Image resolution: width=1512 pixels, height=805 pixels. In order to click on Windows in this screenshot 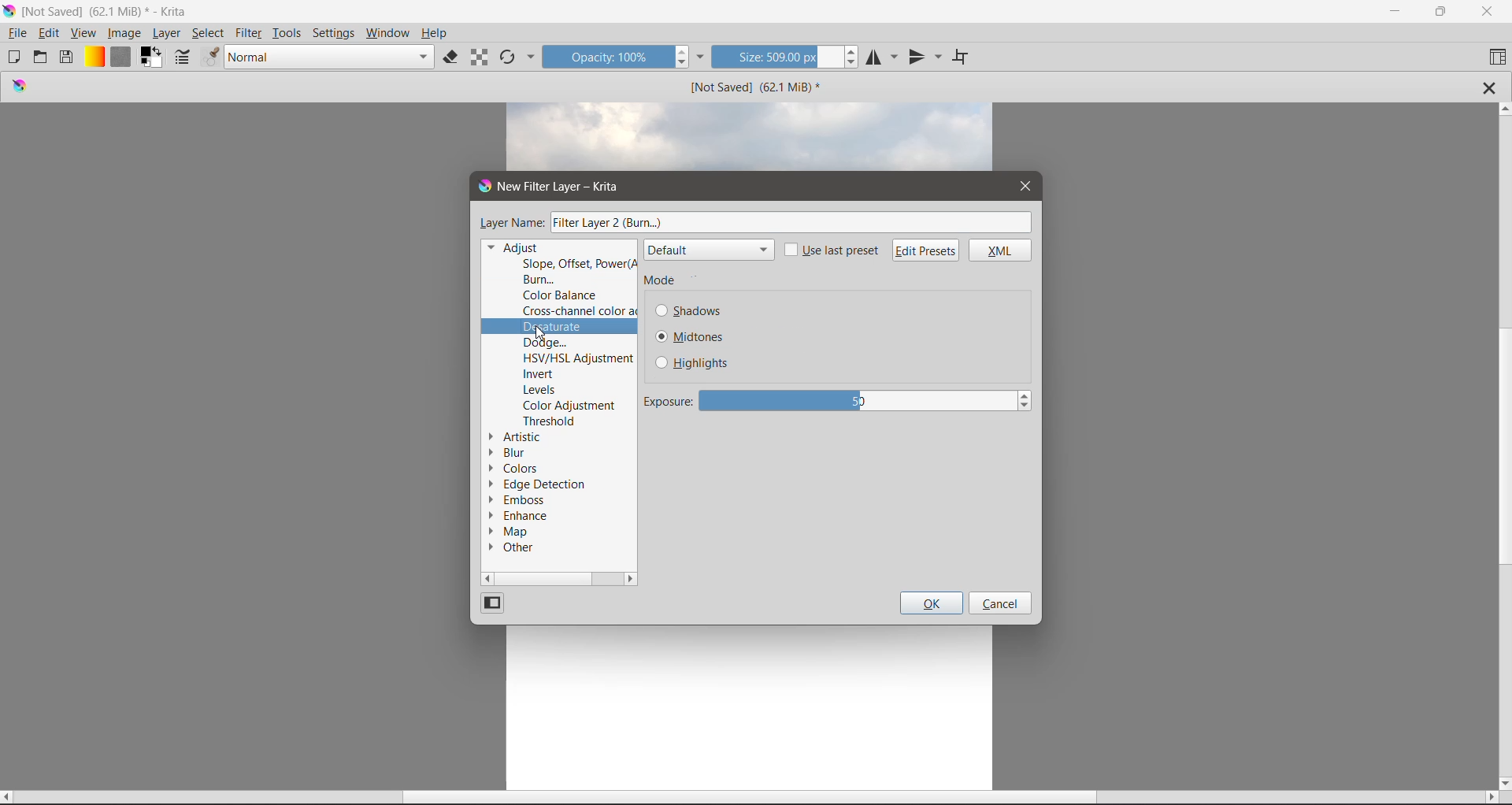, I will do `click(388, 33)`.